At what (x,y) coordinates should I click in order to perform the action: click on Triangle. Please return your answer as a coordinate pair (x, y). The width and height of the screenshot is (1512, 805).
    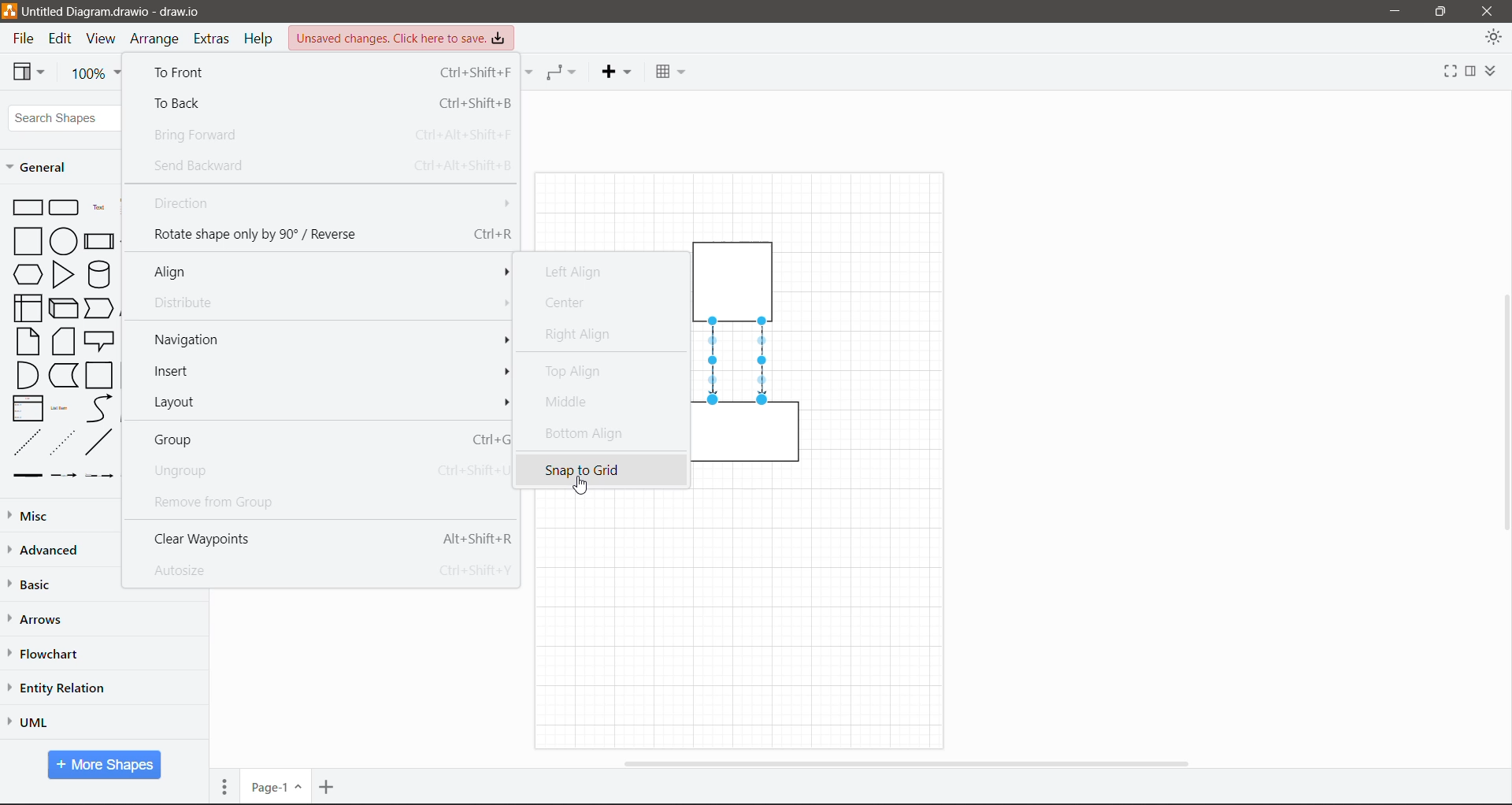
    Looking at the image, I should click on (63, 274).